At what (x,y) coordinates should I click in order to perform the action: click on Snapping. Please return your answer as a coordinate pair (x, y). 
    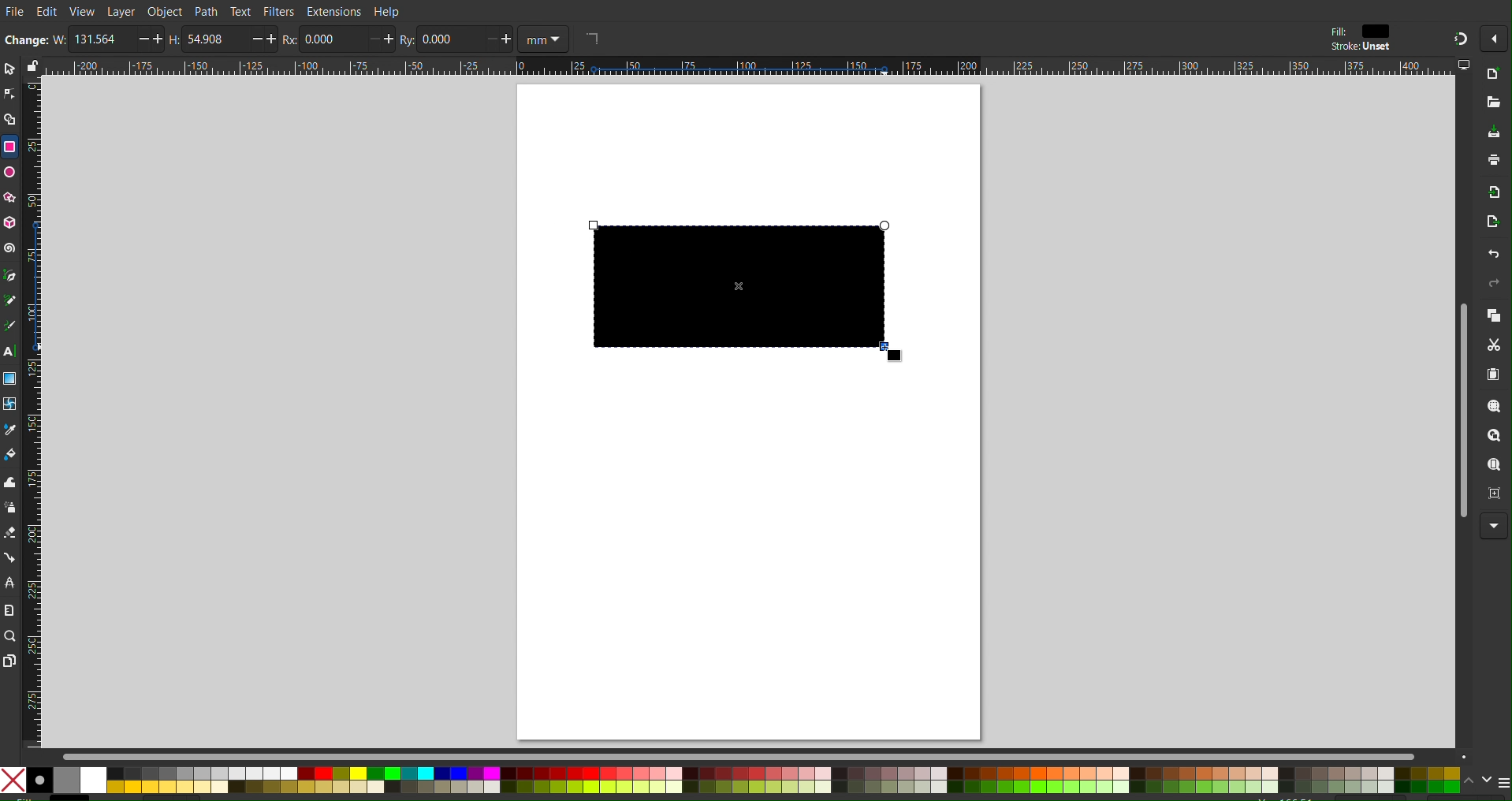
    Looking at the image, I should click on (1458, 36).